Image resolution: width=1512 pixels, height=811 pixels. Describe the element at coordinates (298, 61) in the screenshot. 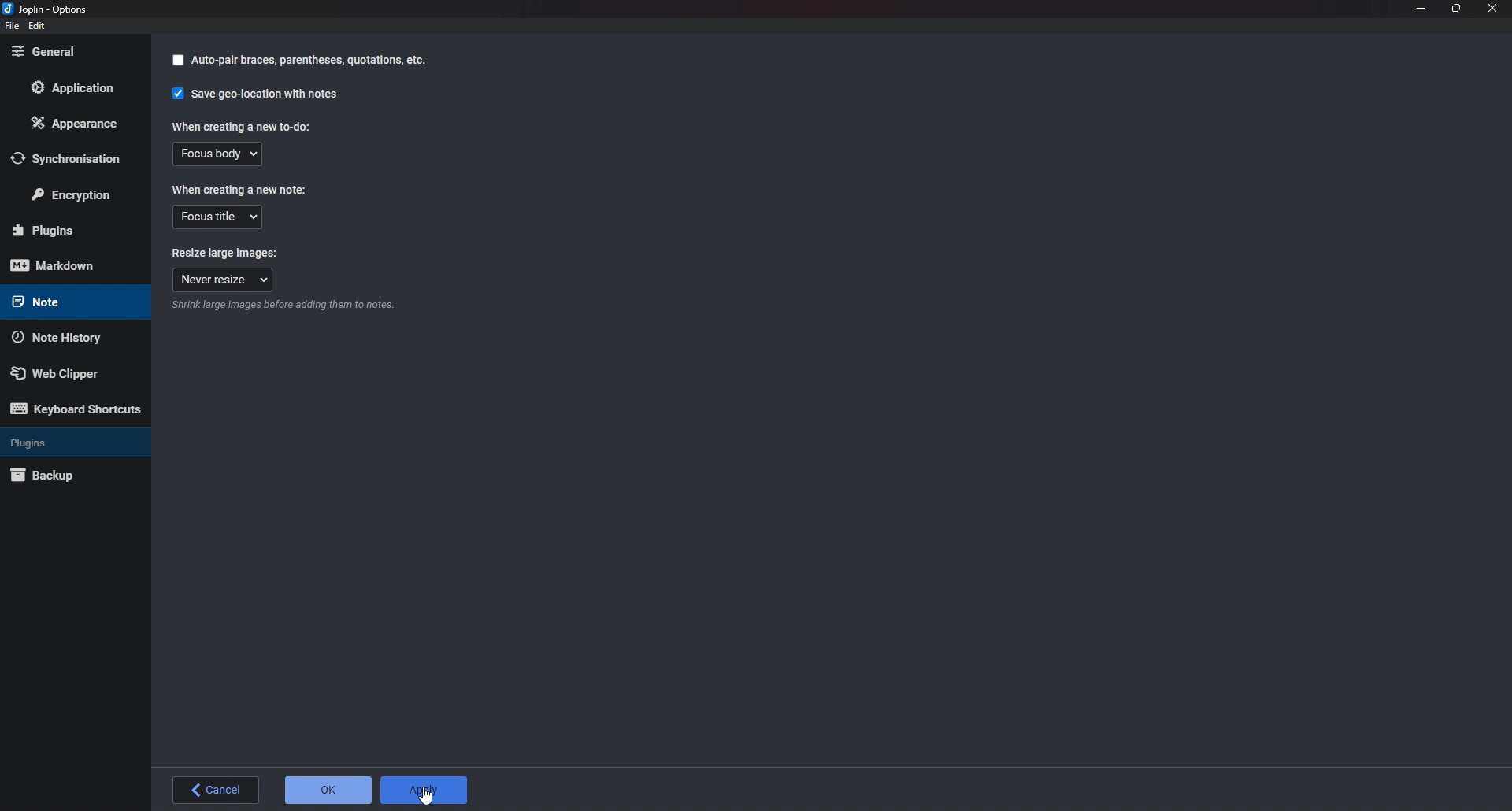

I see `auto pair braces panthesis quotation` at that location.